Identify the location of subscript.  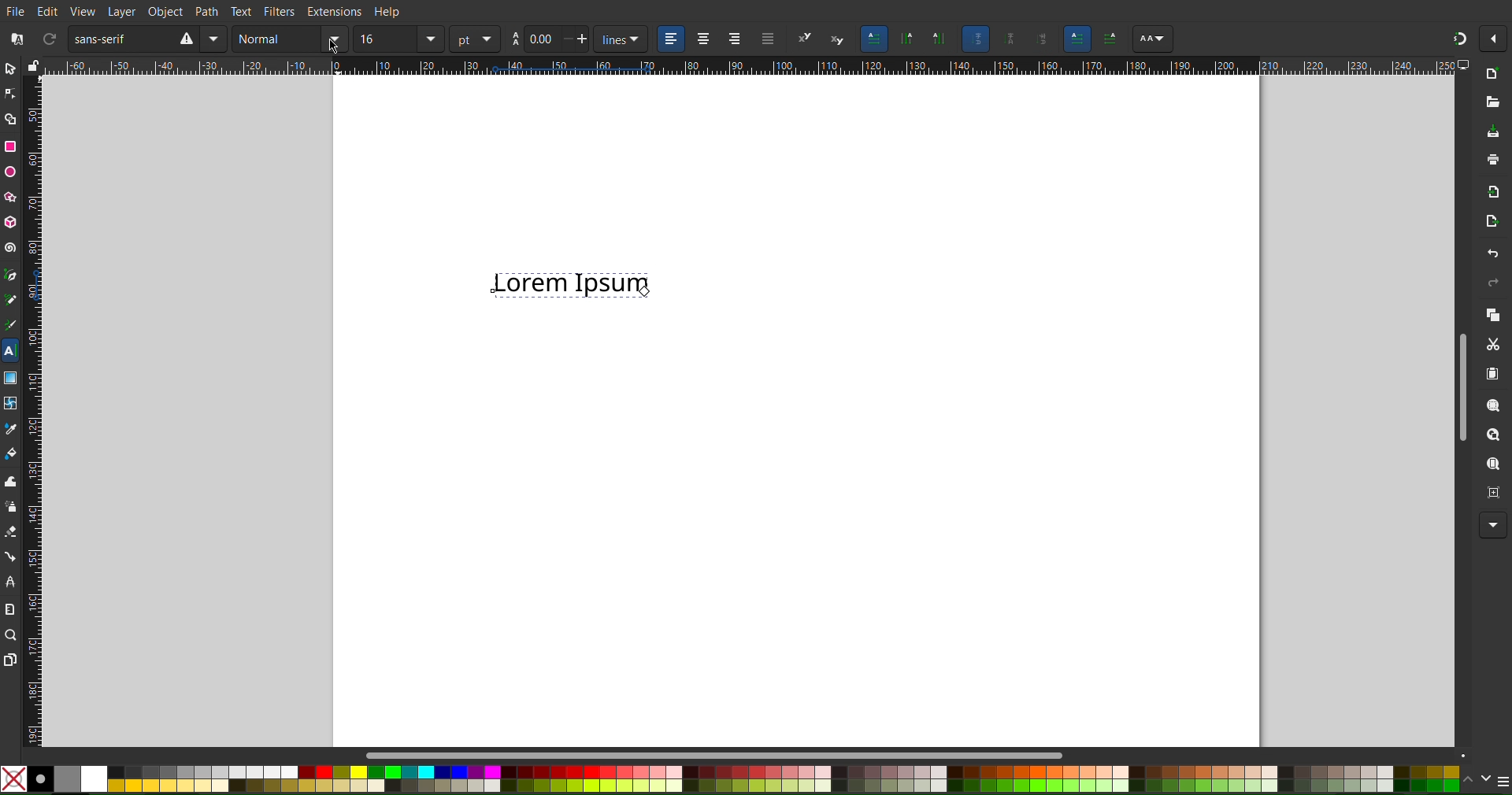
(834, 38).